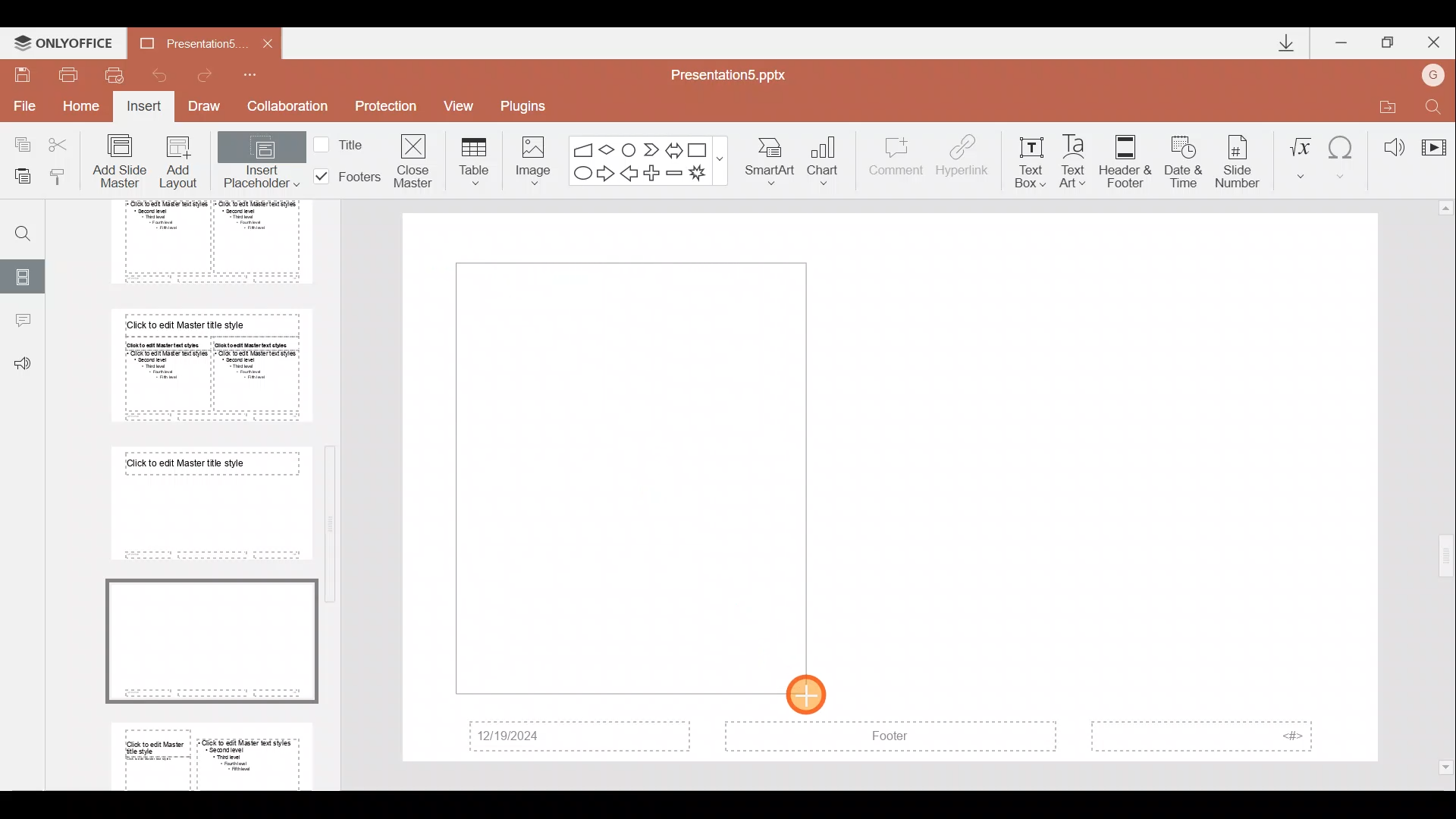  I want to click on Rectangle, so click(699, 148).